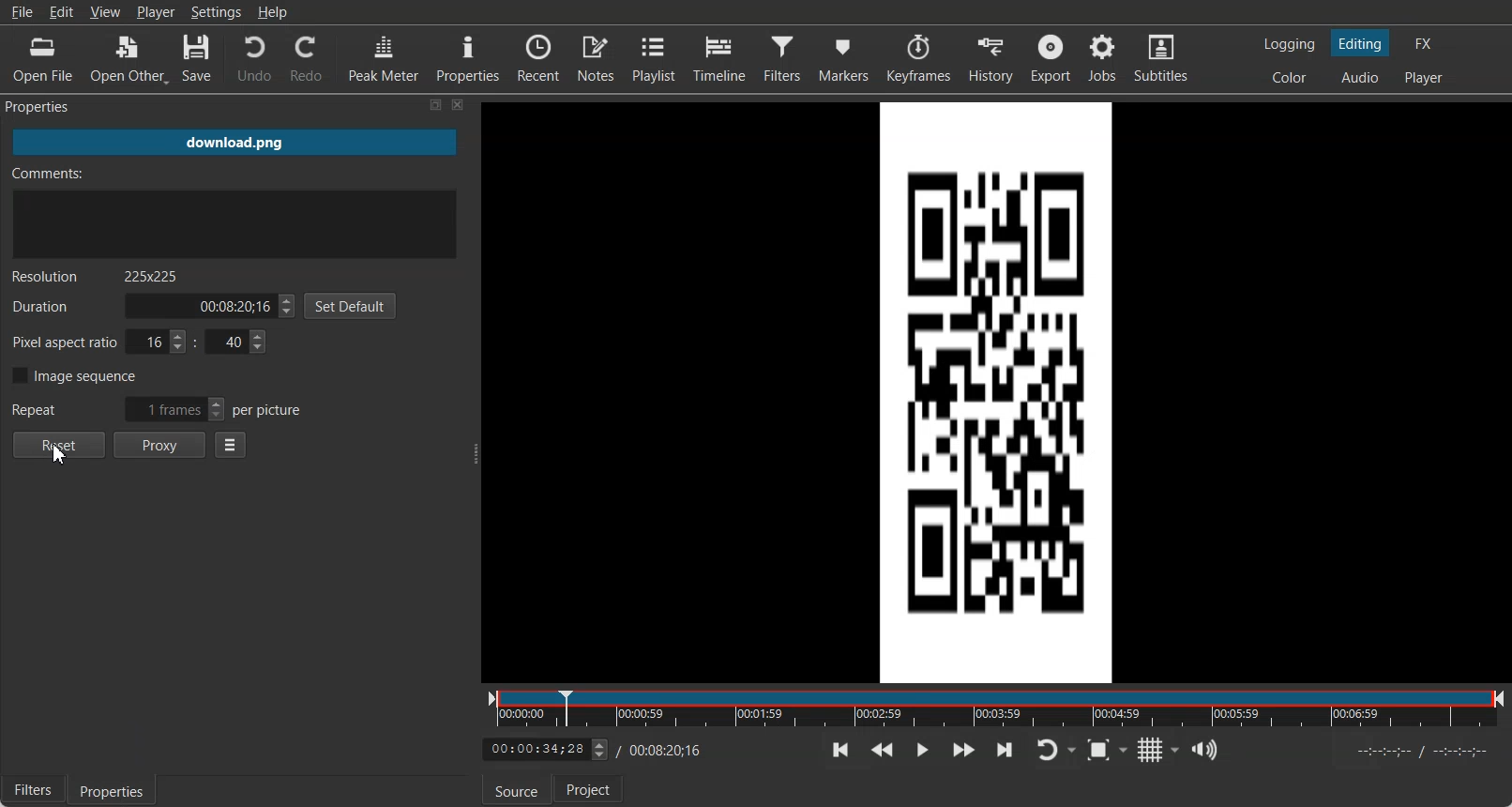  What do you see at coordinates (151, 307) in the screenshot?
I see `Time Duration adjuster` at bounding box center [151, 307].